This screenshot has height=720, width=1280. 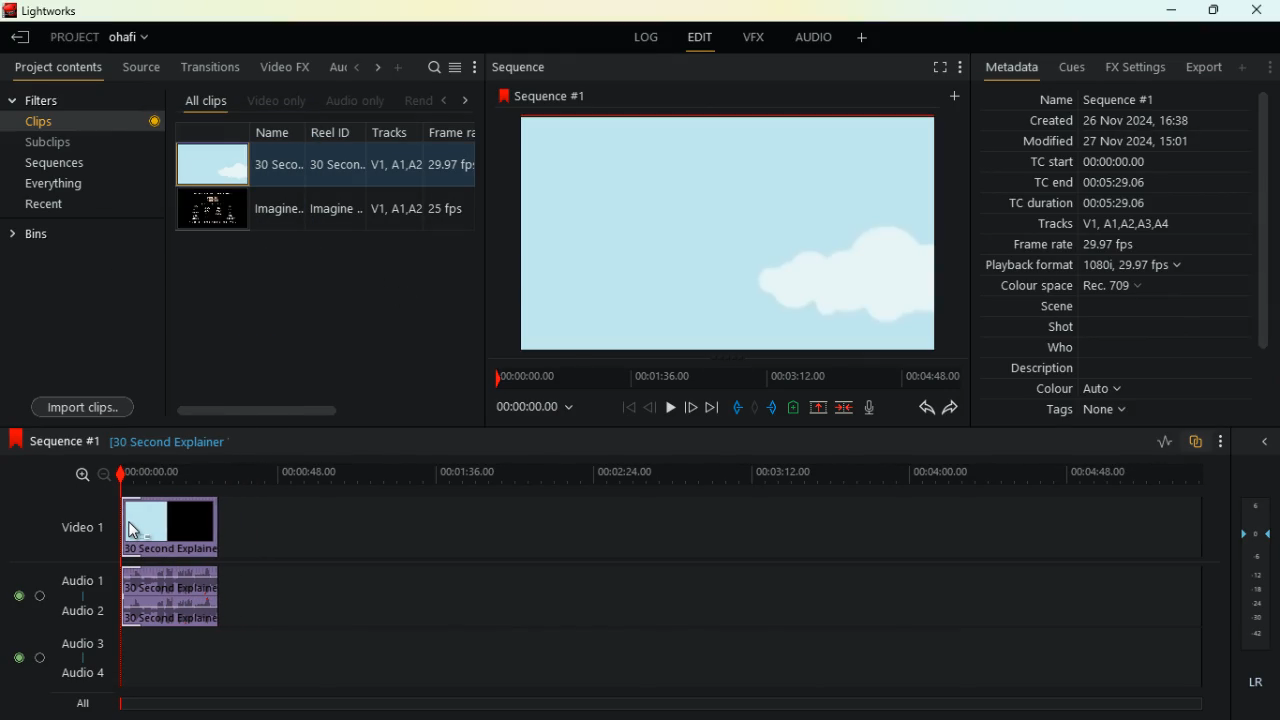 What do you see at coordinates (1262, 443) in the screenshot?
I see `close` at bounding box center [1262, 443].